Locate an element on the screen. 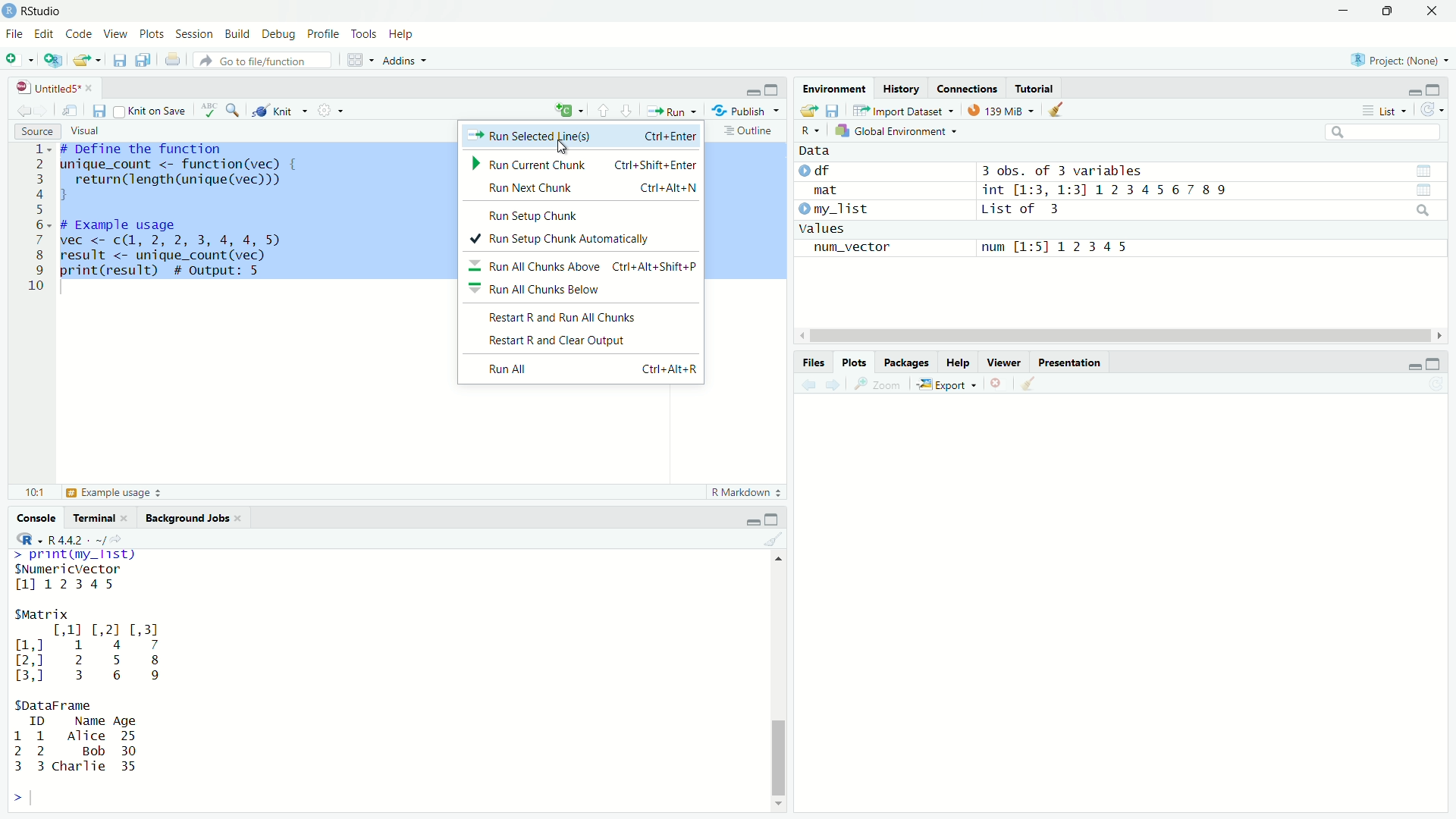  Run Selected Lines is located at coordinates (530, 137).